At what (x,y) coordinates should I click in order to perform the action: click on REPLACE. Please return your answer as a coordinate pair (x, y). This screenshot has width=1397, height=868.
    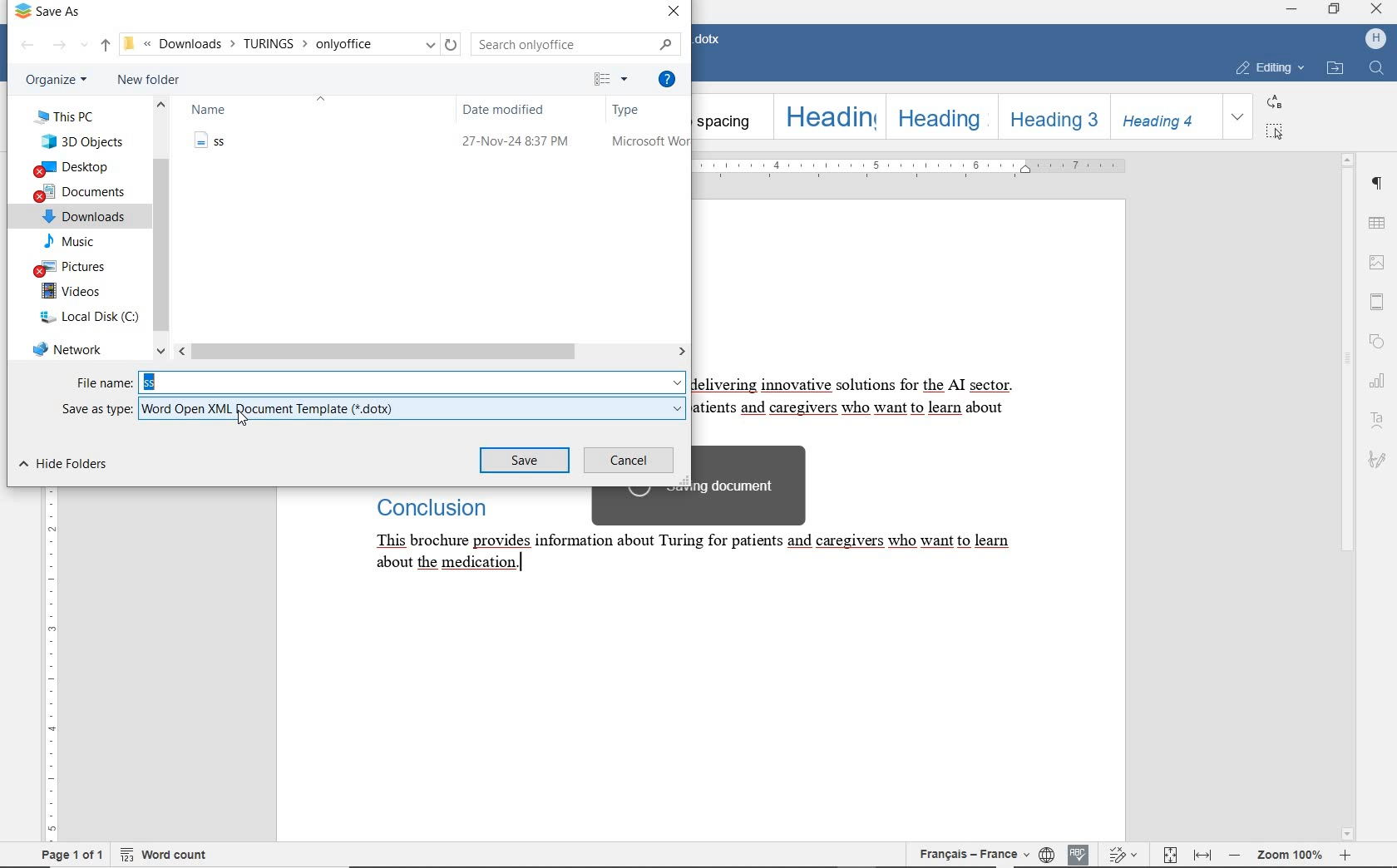
    Looking at the image, I should click on (1274, 101).